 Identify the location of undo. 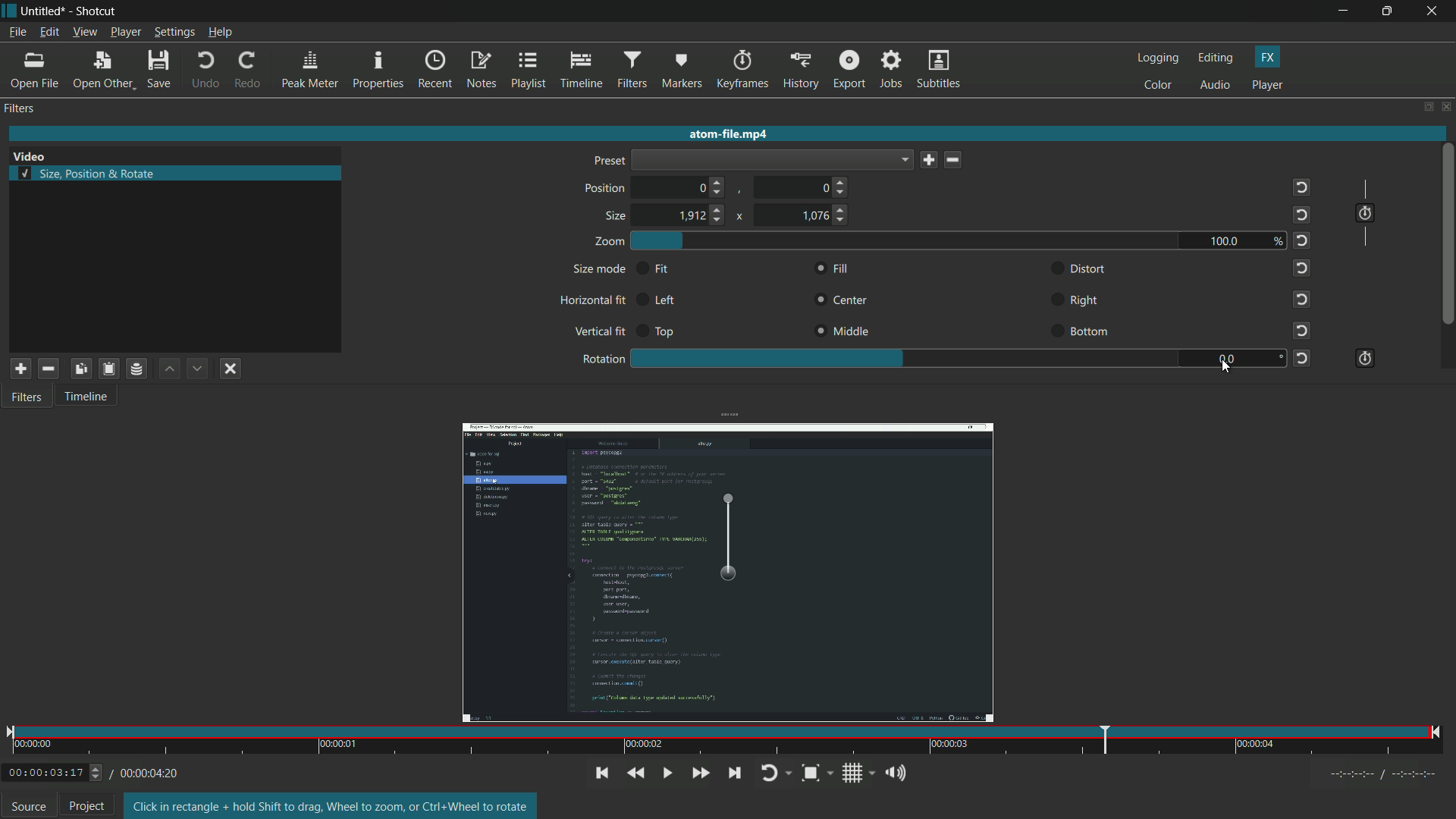
(202, 71).